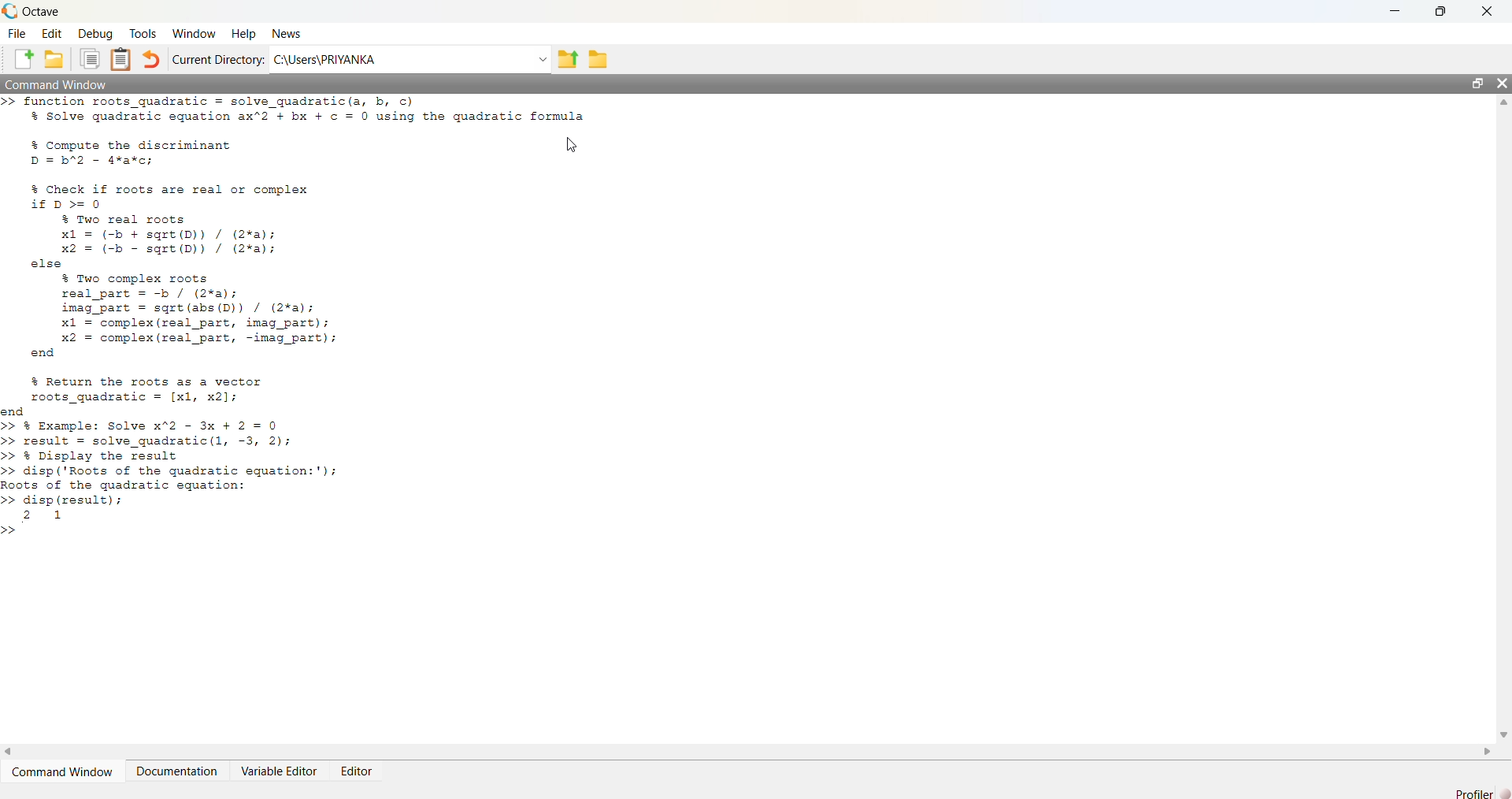 This screenshot has width=1512, height=799. What do you see at coordinates (1502, 86) in the screenshot?
I see `Close` at bounding box center [1502, 86].